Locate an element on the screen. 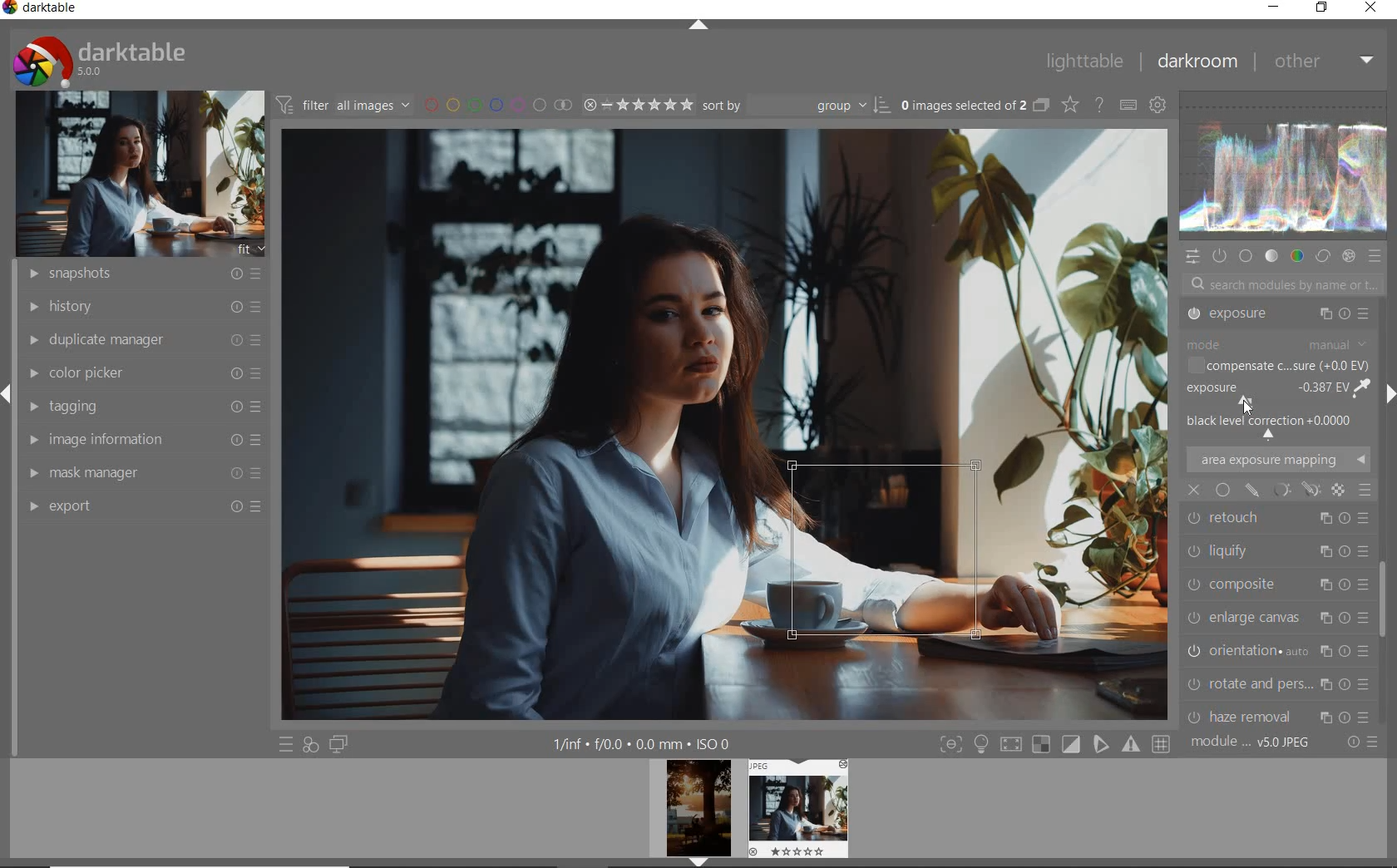 The image size is (1397, 868). selected area is located at coordinates (886, 554).